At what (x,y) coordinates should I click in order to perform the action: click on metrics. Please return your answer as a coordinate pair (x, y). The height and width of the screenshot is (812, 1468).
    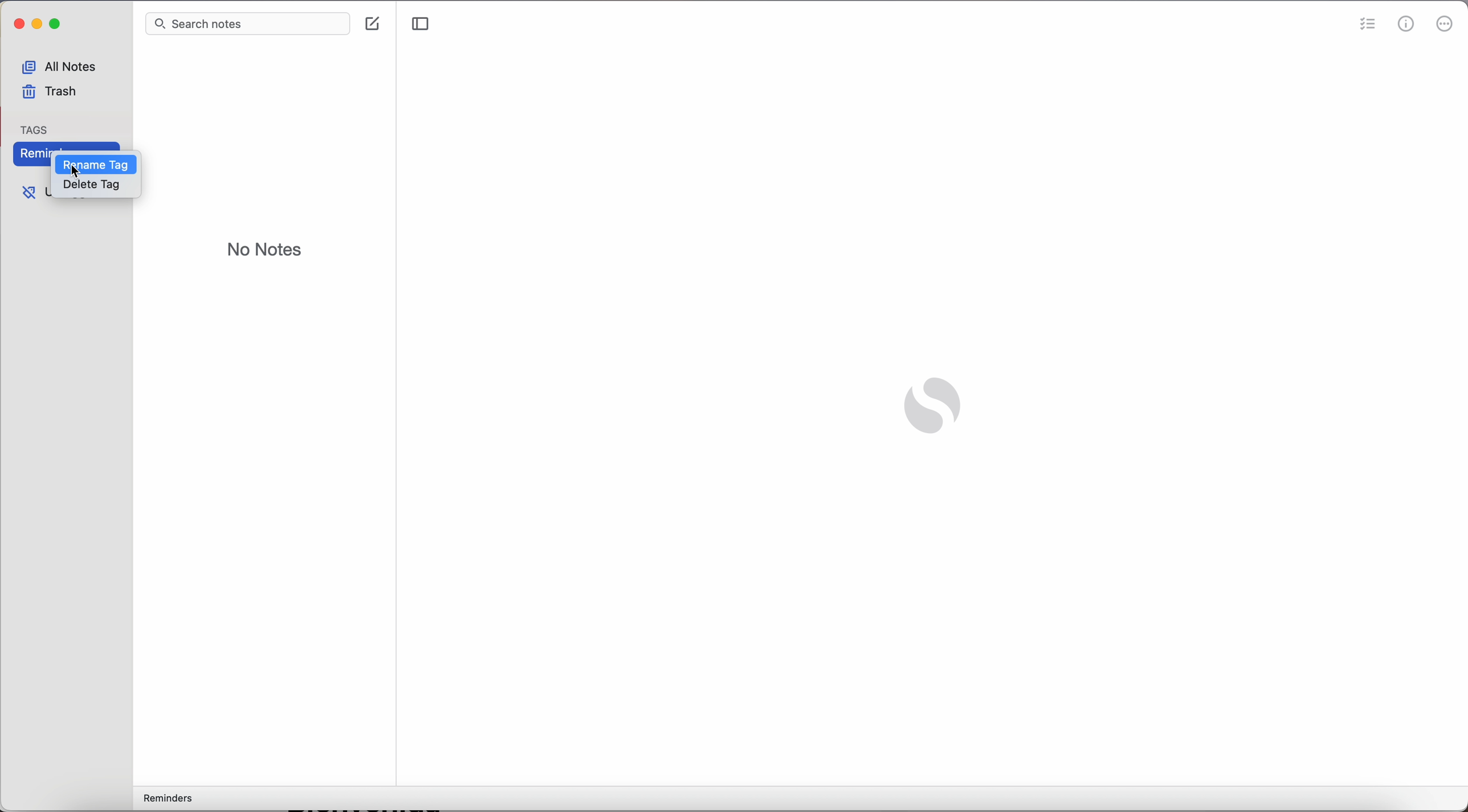
    Looking at the image, I should click on (1408, 25).